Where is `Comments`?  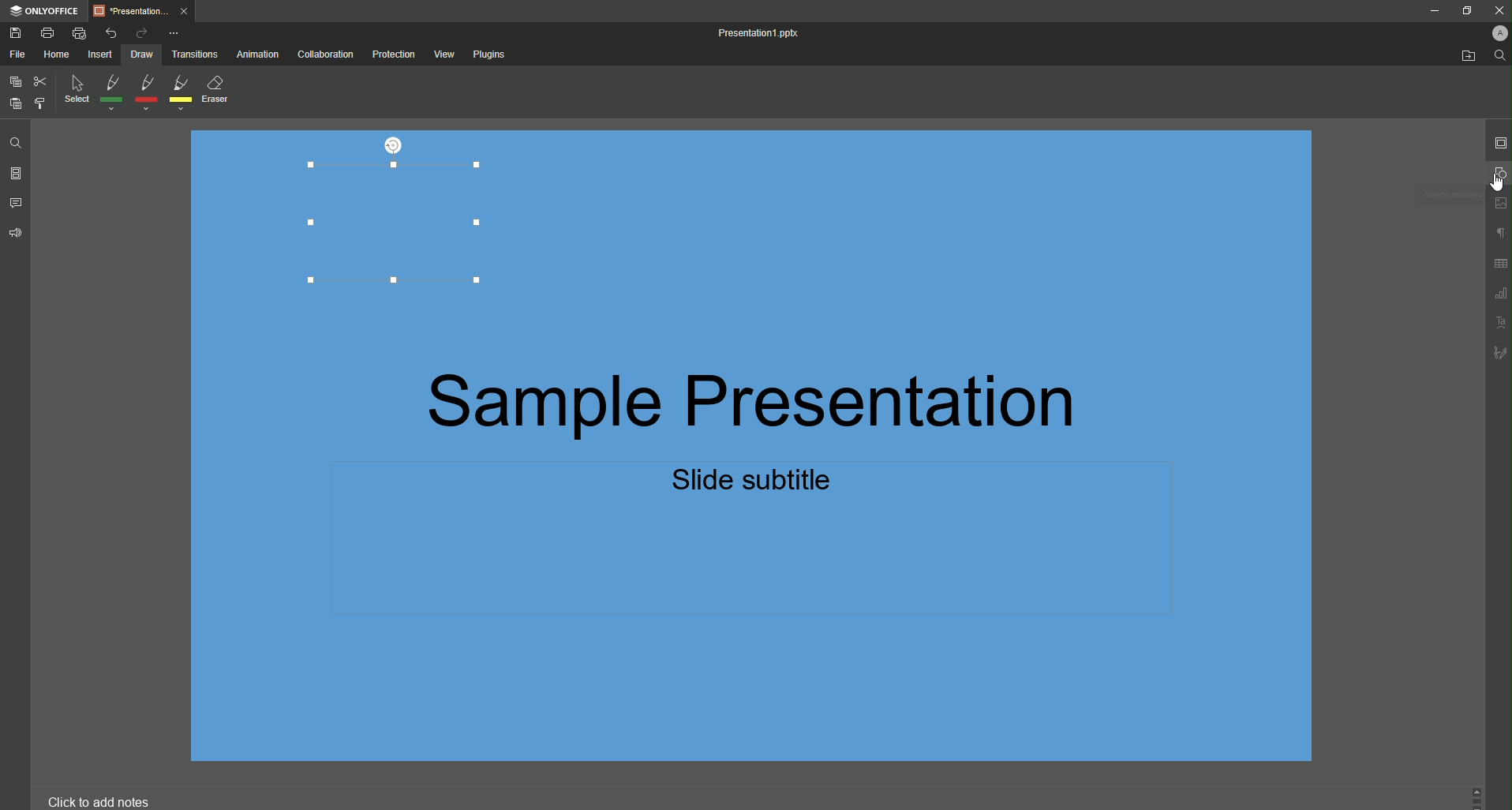 Comments is located at coordinates (18, 202).